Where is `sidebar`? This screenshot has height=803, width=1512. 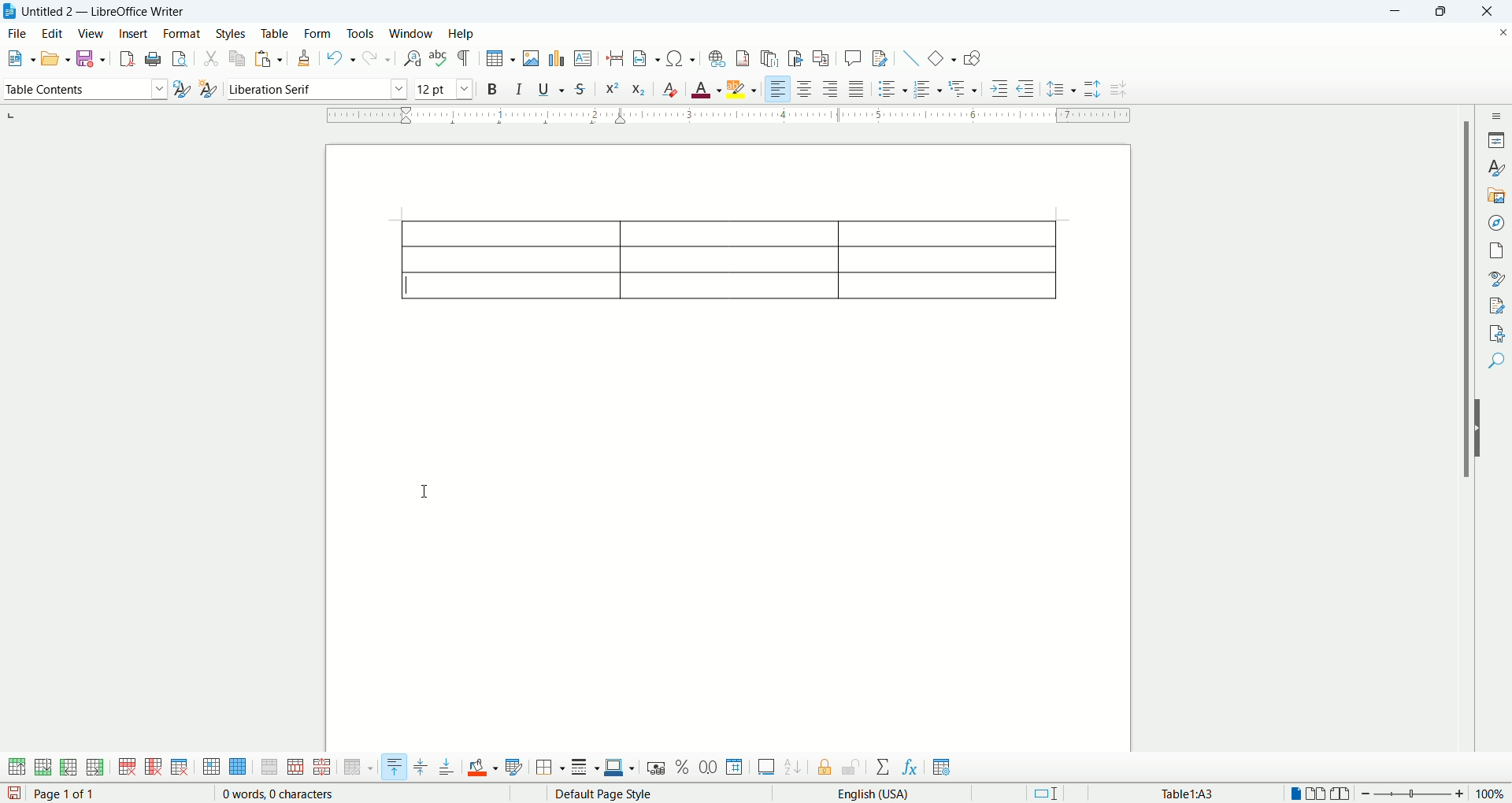
sidebar is located at coordinates (1496, 117).